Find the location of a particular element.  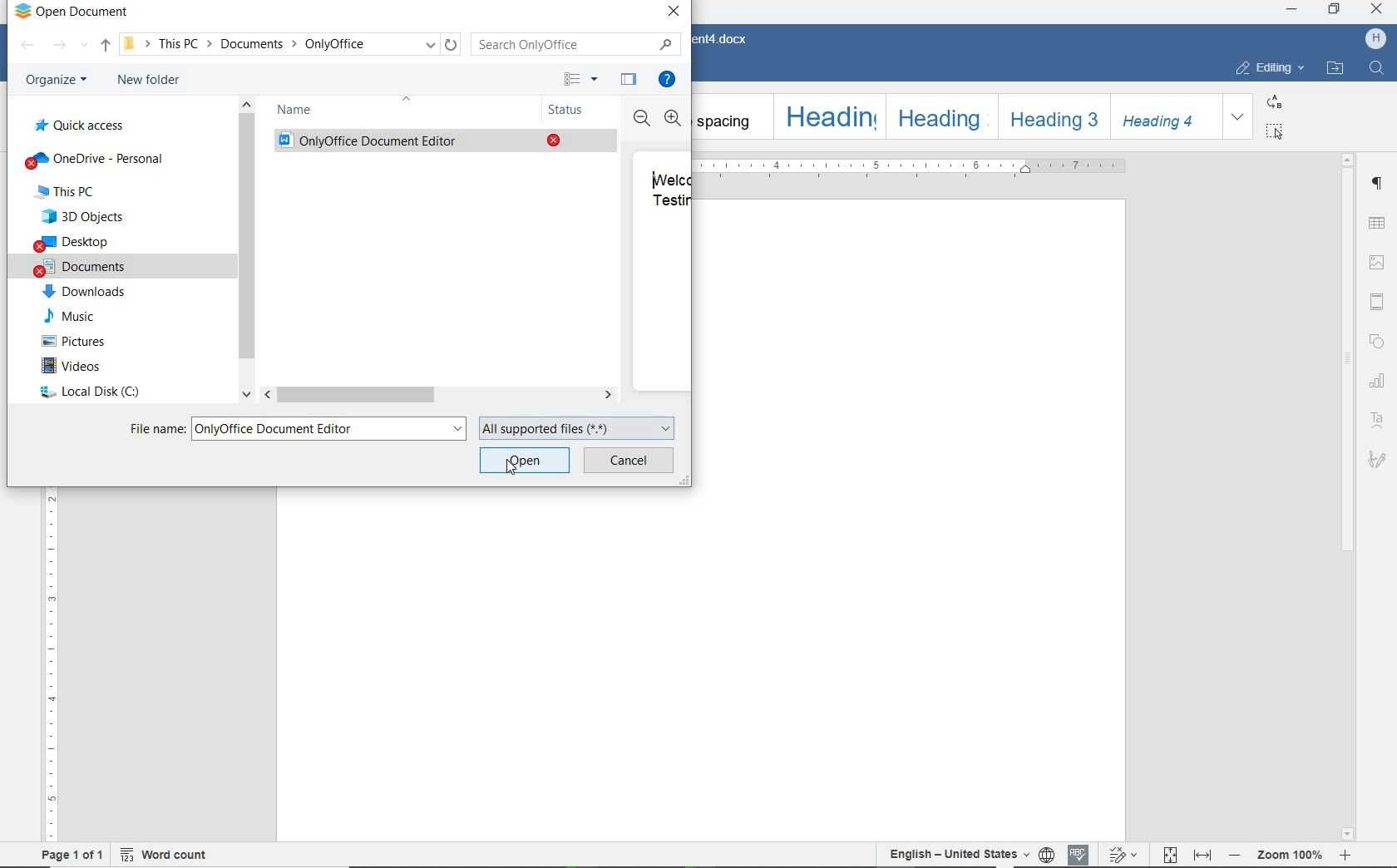

No spacing is located at coordinates (730, 123).